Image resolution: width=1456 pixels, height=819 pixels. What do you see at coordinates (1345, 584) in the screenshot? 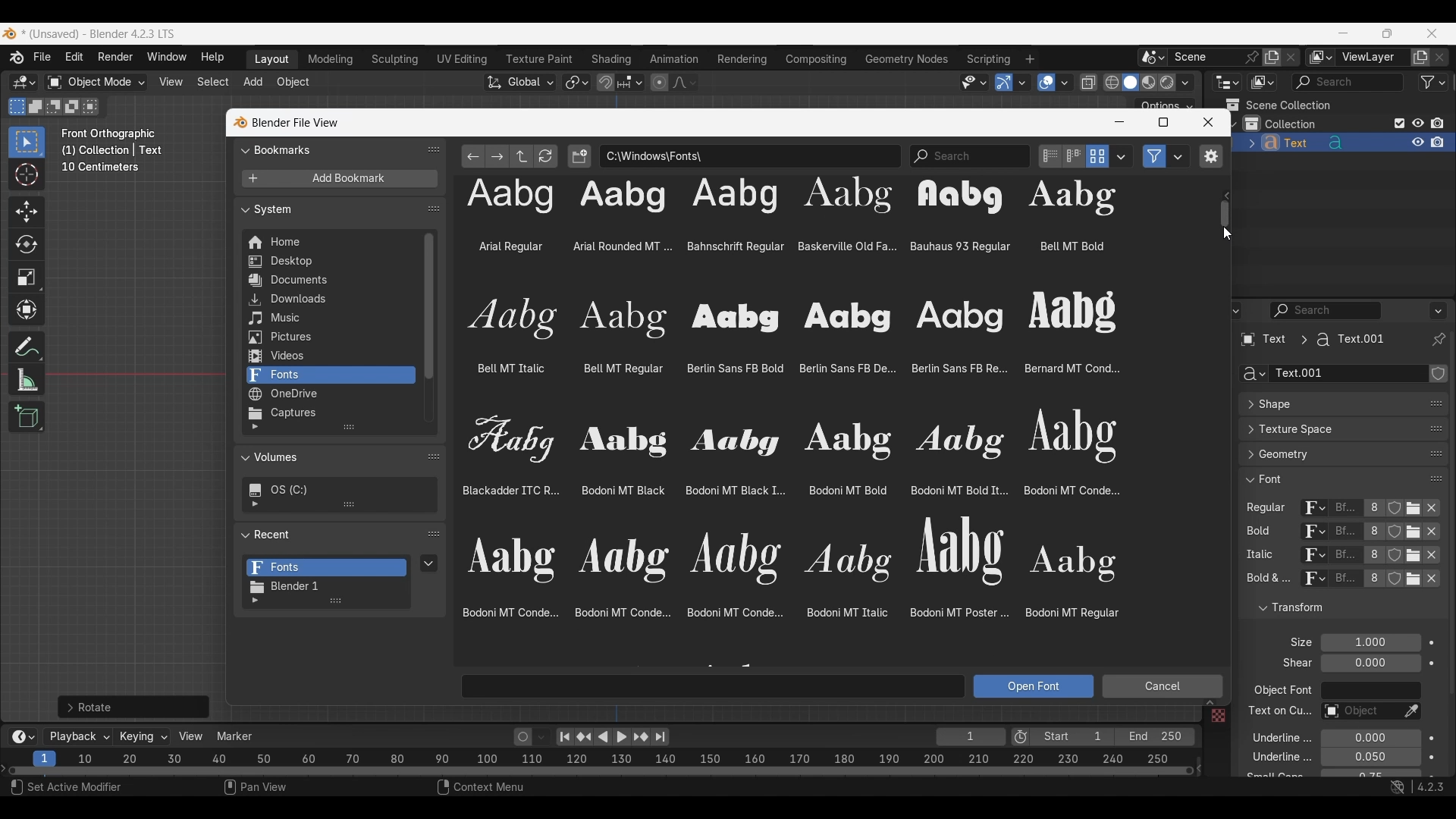
I see `name of current font` at bounding box center [1345, 584].